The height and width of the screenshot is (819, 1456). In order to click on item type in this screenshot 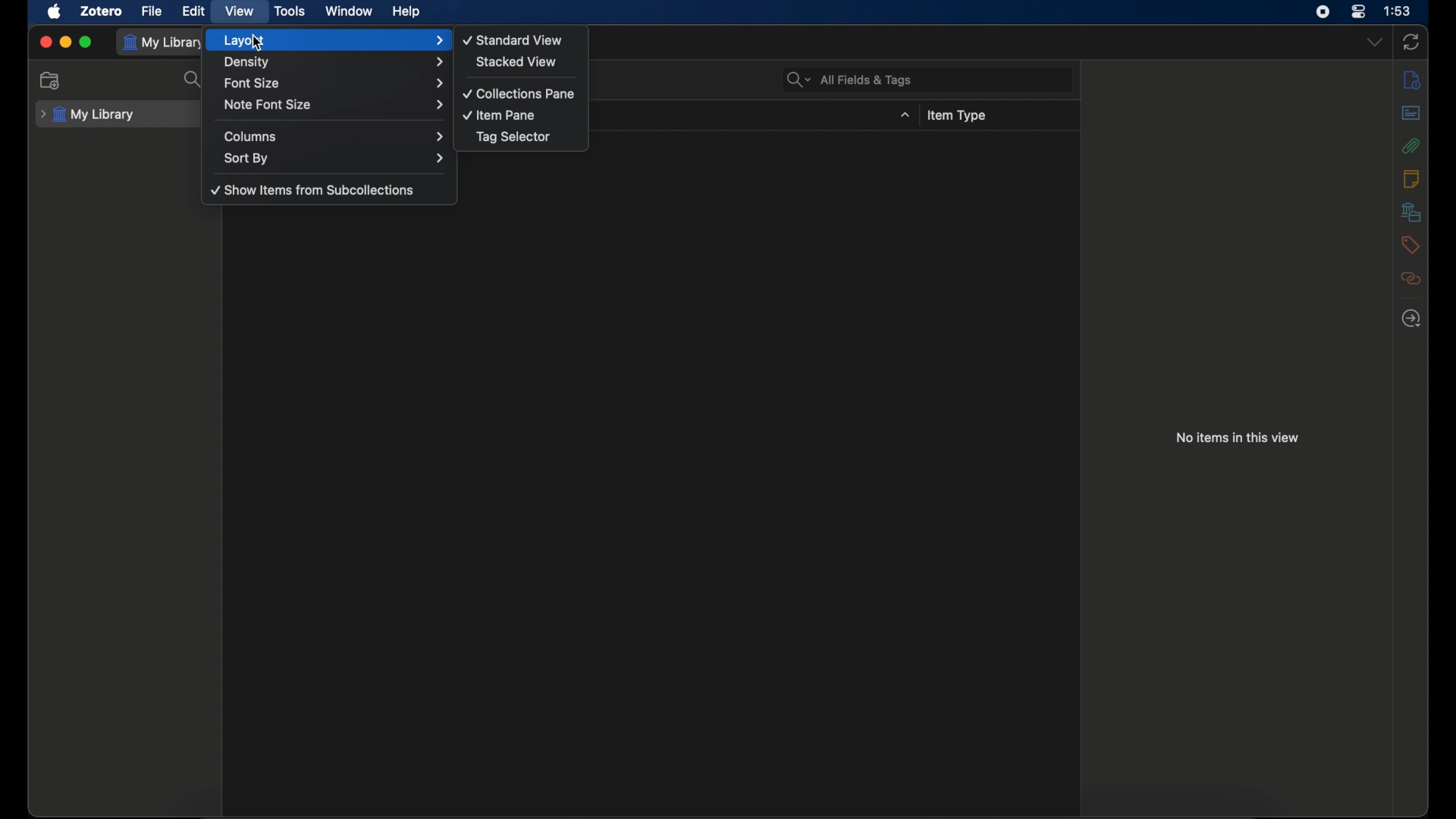, I will do `click(956, 116)`.